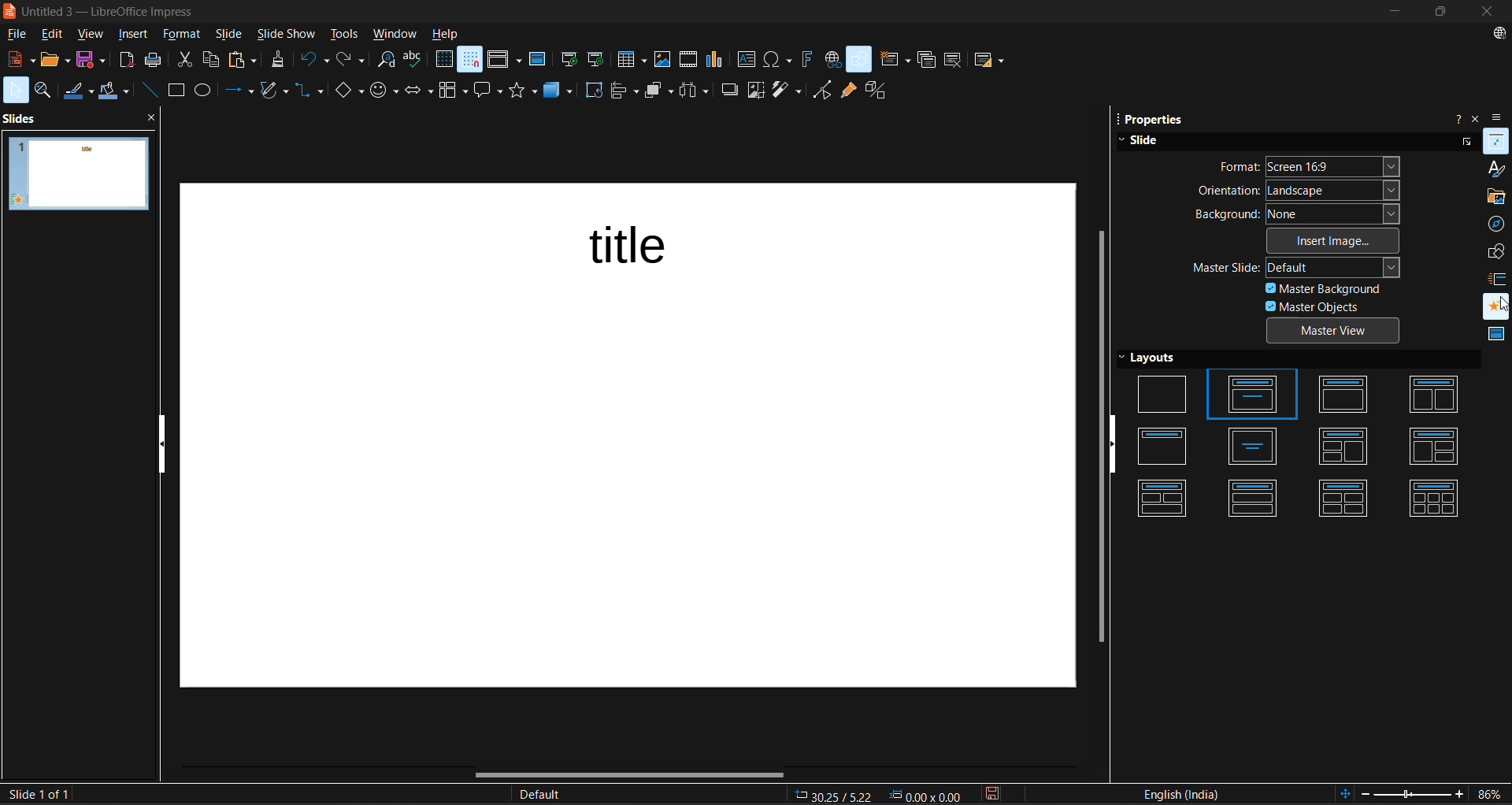  What do you see at coordinates (206, 92) in the screenshot?
I see `ellipse` at bounding box center [206, 92].